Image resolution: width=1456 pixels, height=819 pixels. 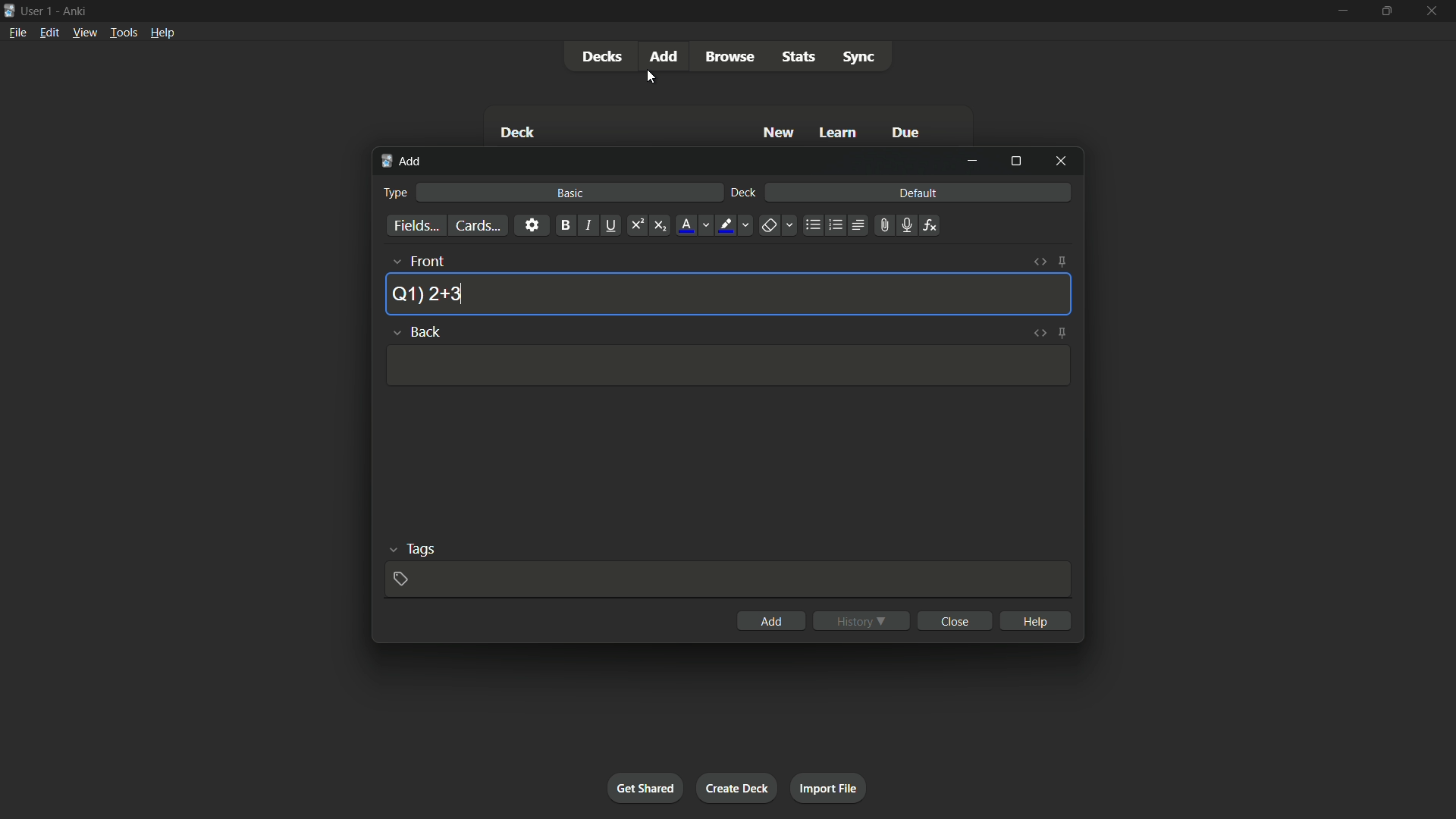 I want to click on alignment, so click(x=857, y=226).